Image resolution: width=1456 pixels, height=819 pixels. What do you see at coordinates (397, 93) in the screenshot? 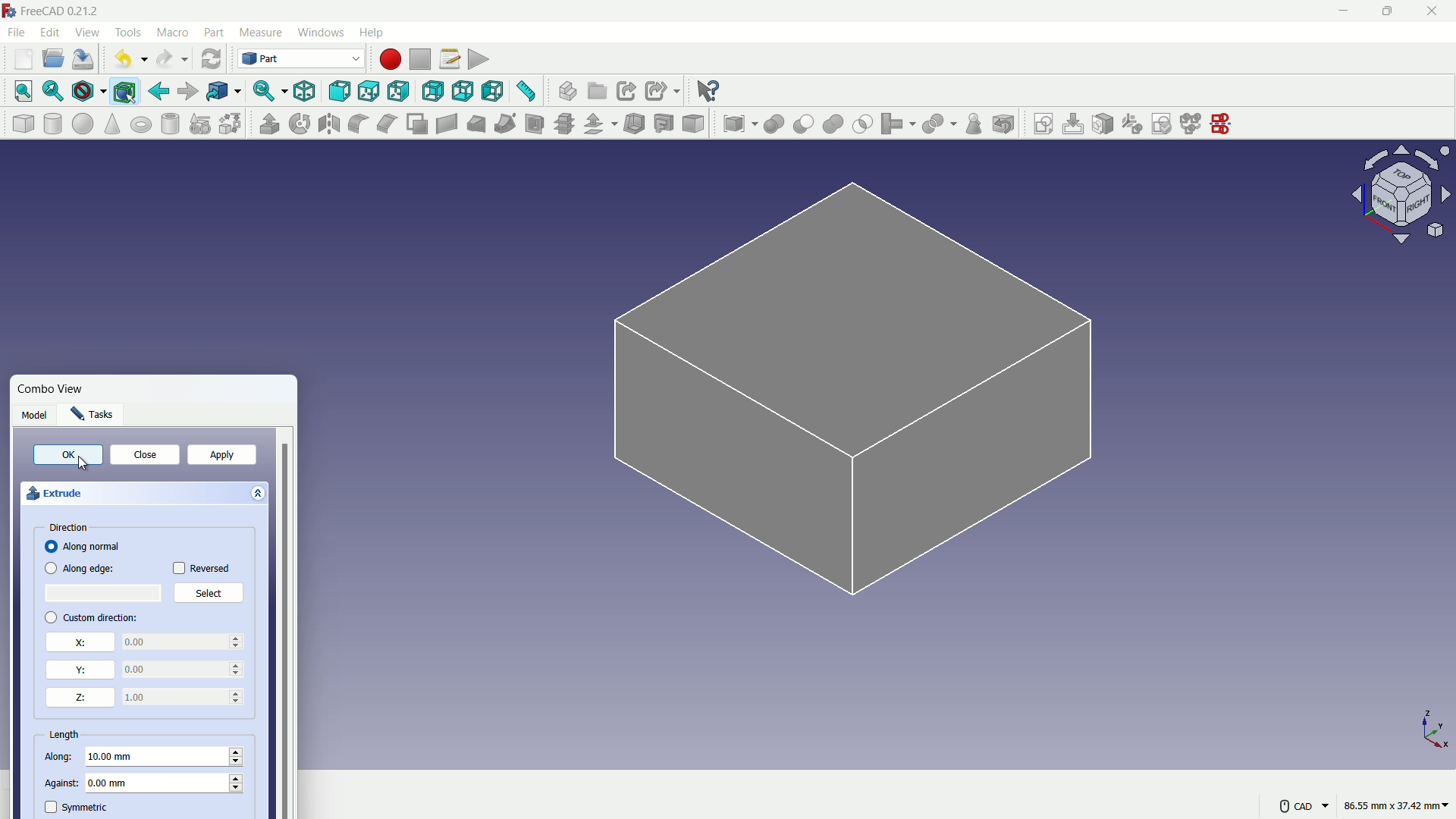
I see `right view` at bounding box center [397, 93].